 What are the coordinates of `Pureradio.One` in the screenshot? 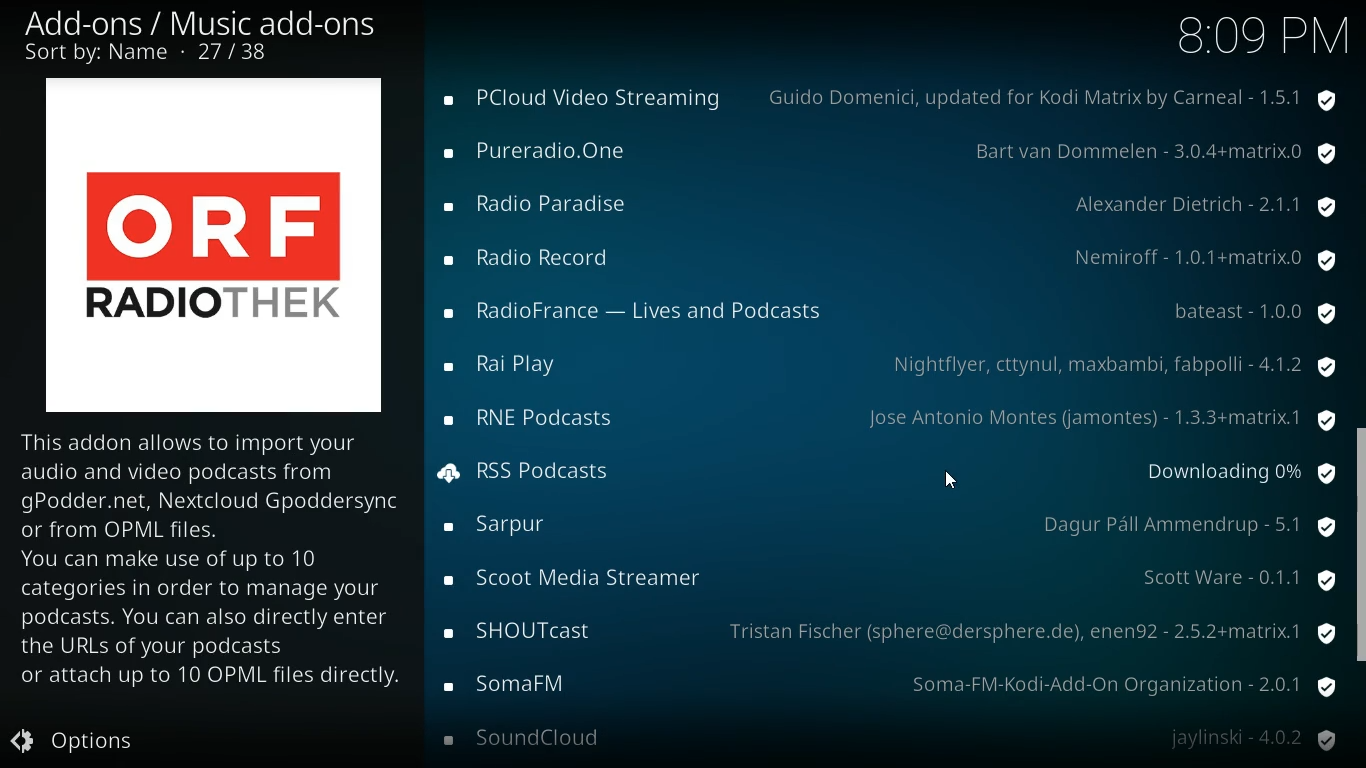 It's located at (545, 150).